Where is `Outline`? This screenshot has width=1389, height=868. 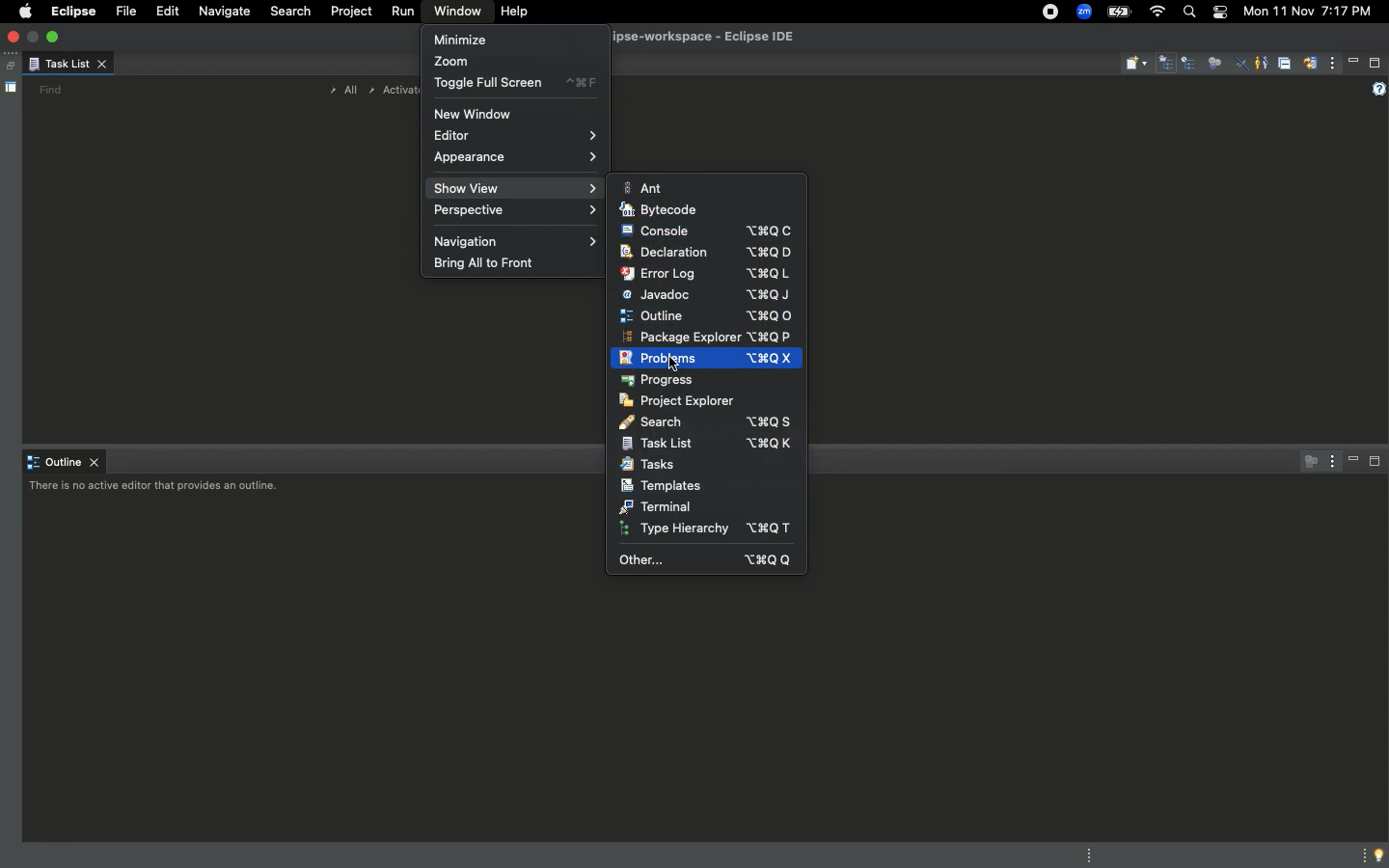 Outline is located at coordinates (711, 315).